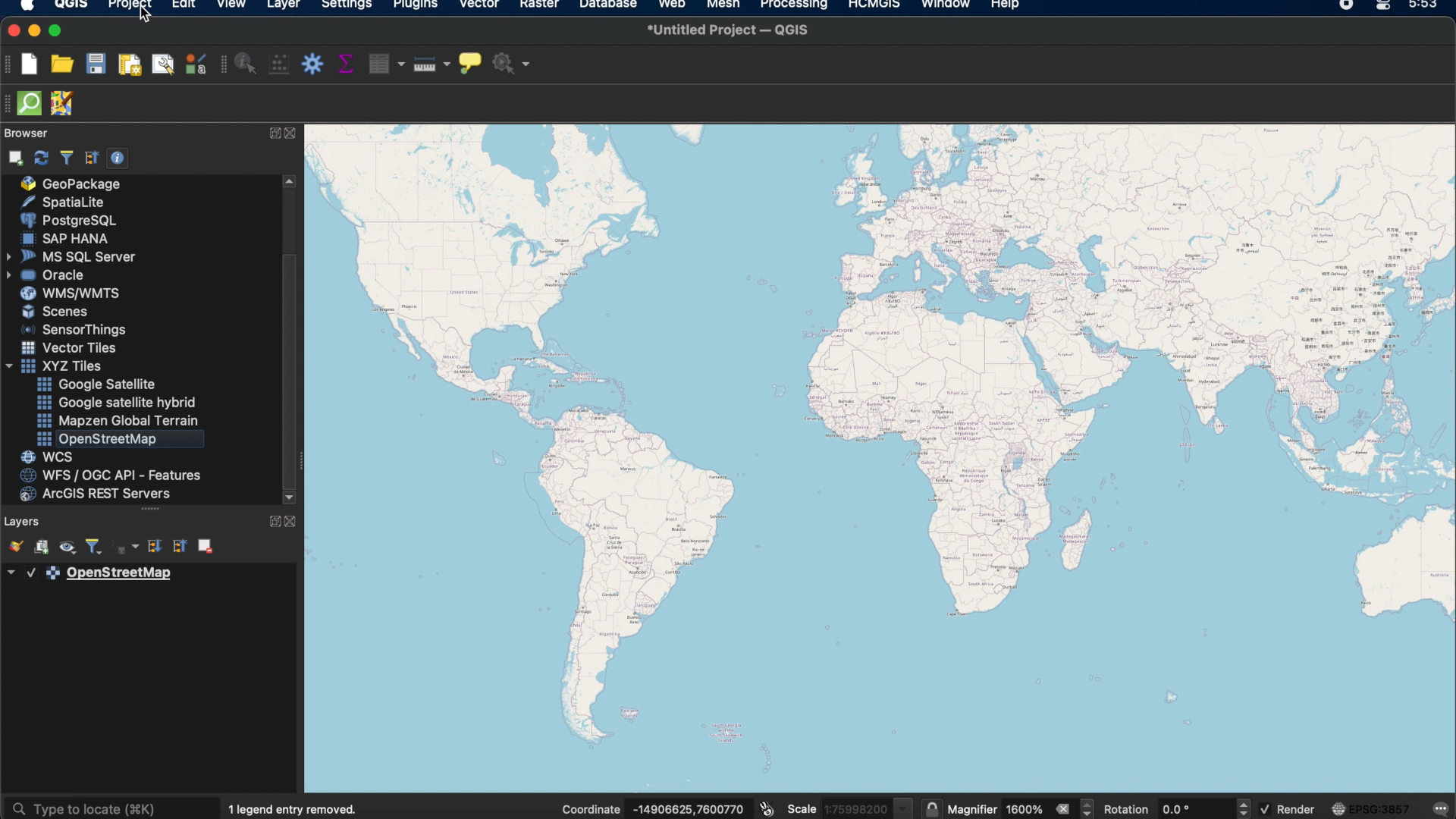 The height and width of the screenshot is (819, 1456). I want to click on scroll down arrow, so click(290, 497).